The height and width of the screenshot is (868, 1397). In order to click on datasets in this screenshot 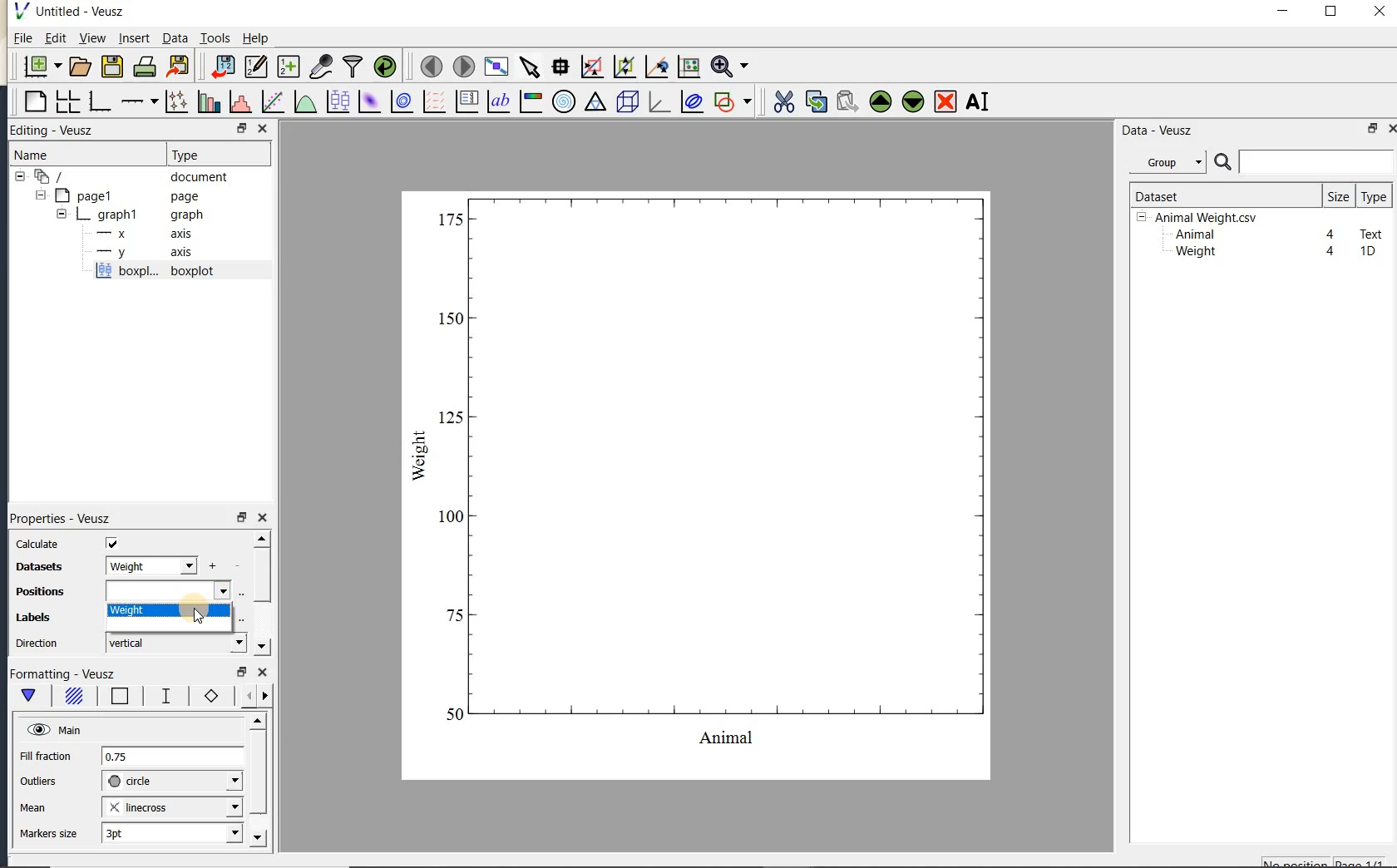, I will do `click(41, 569)`.